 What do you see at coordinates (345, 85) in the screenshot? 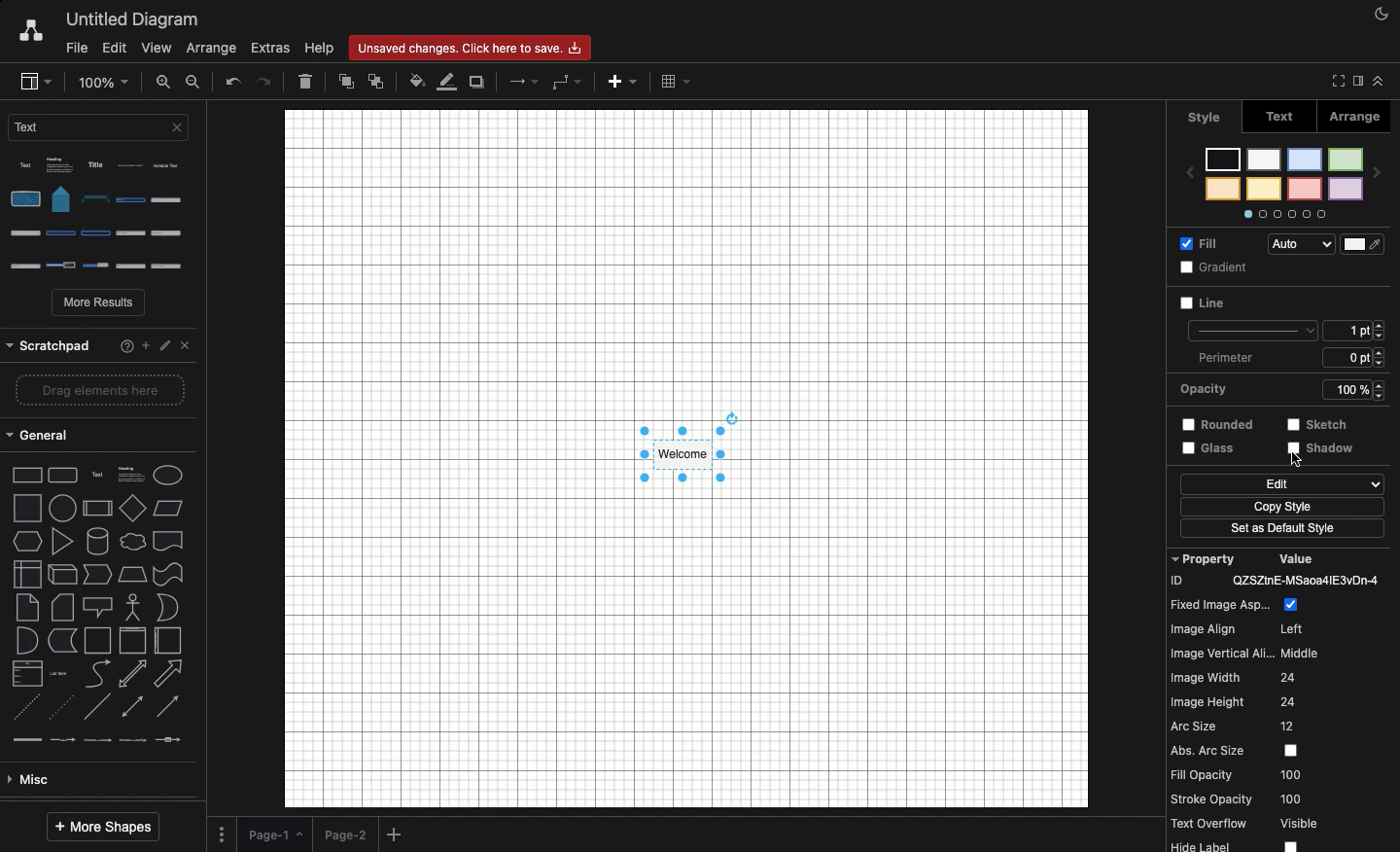
I see `To front` at bounding box center [345, 85].